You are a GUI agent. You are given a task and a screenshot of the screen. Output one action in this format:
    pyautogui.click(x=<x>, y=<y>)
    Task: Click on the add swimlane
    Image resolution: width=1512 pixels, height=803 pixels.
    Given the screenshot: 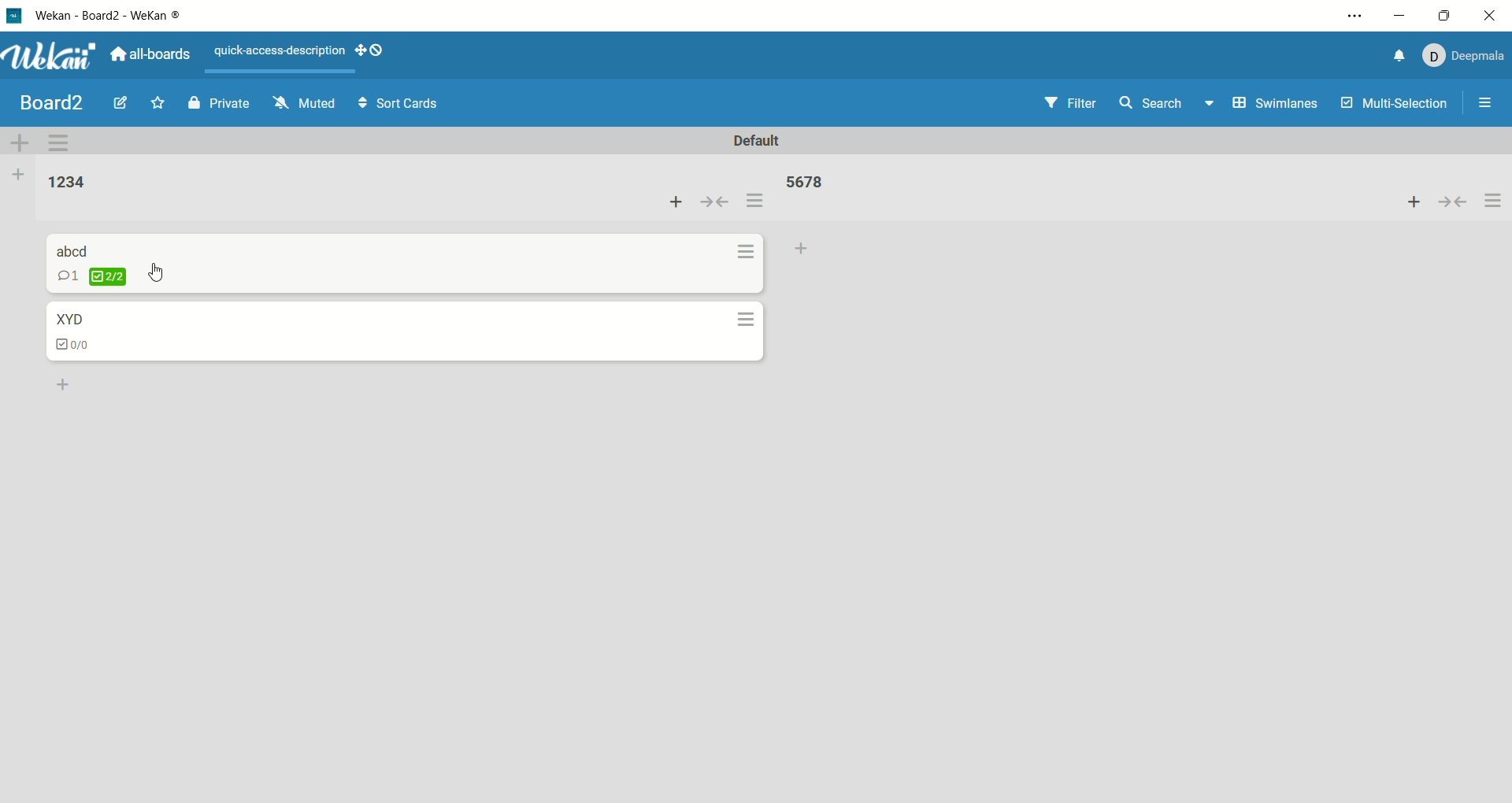 What is the action you would take?
    pyautogui.click(x=21, y=142)
    